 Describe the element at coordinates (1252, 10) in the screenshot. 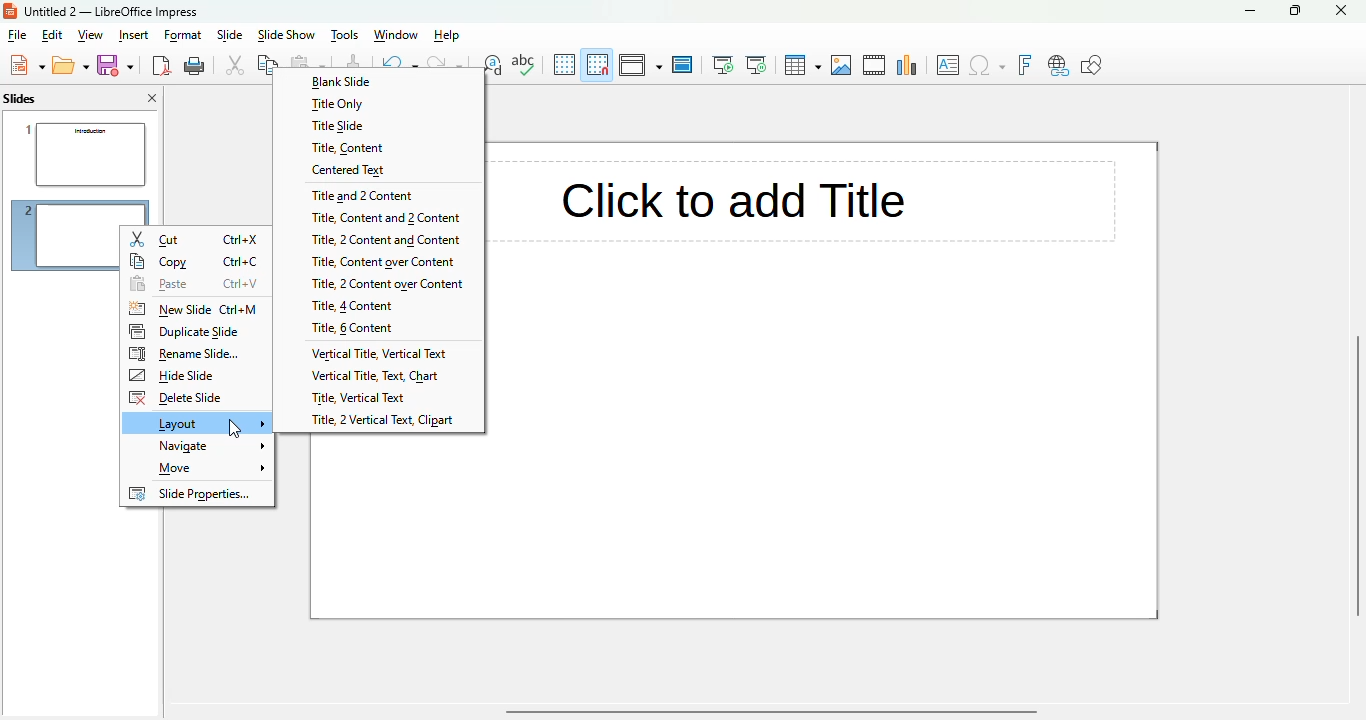

I see `minimize` at that location.